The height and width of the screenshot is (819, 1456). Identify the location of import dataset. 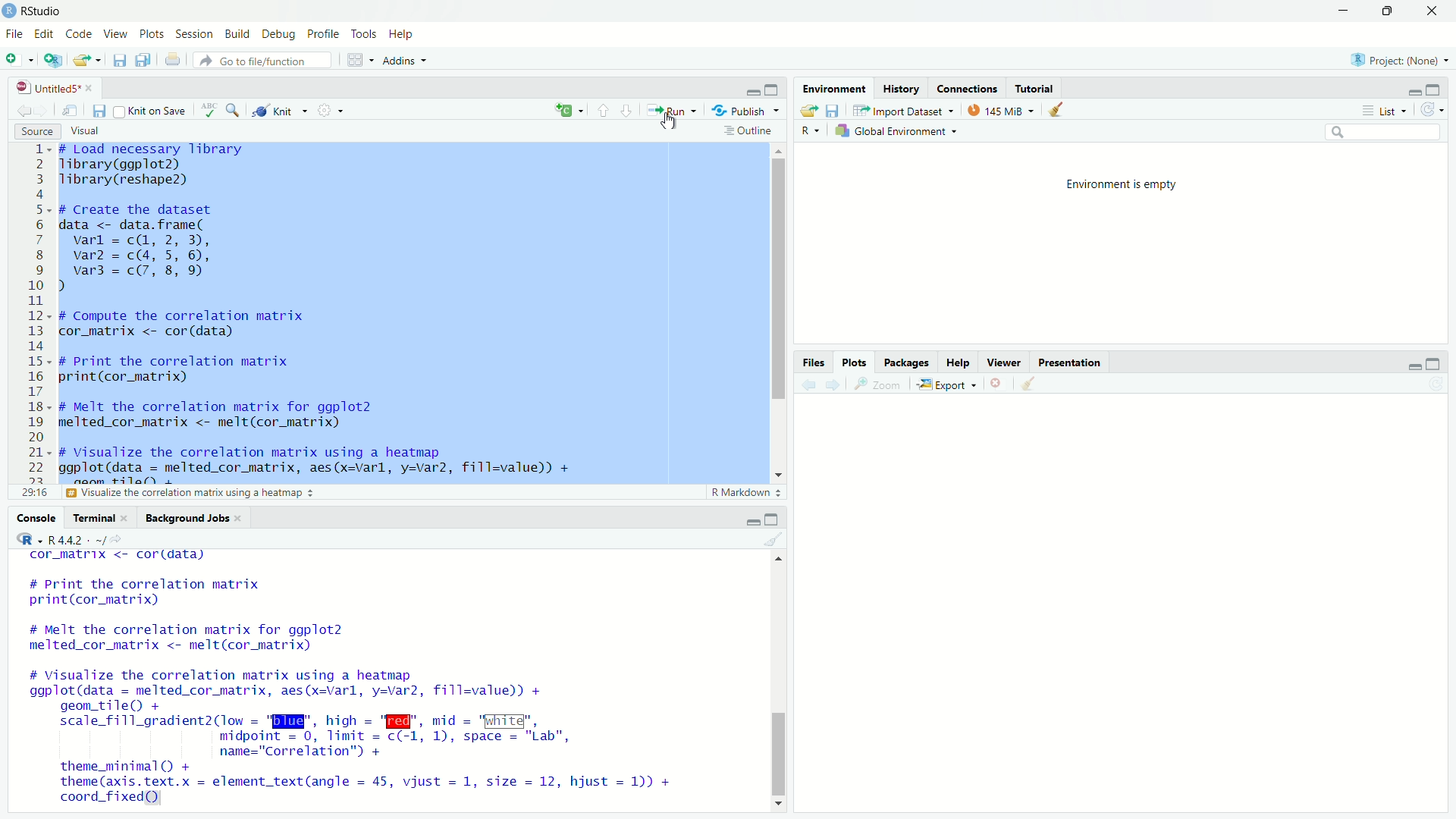
(904, 111).